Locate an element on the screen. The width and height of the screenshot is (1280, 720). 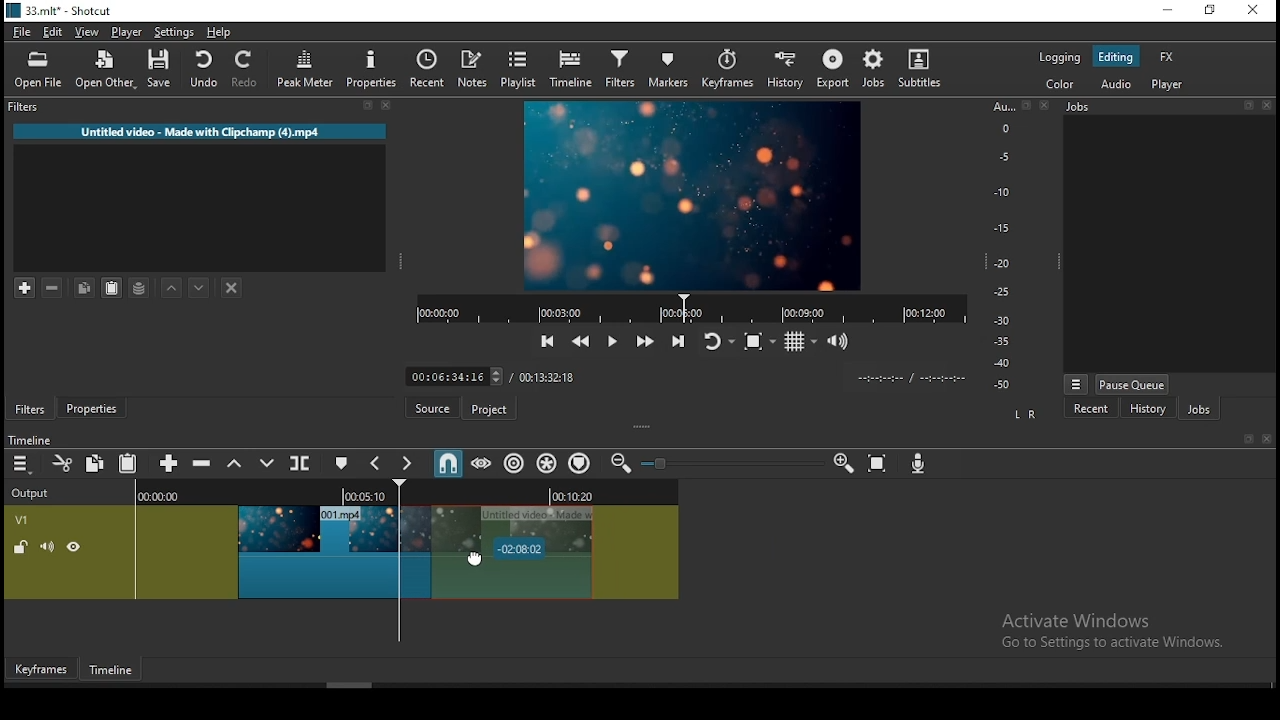
split at playhead is located at coordinates (433, 71).